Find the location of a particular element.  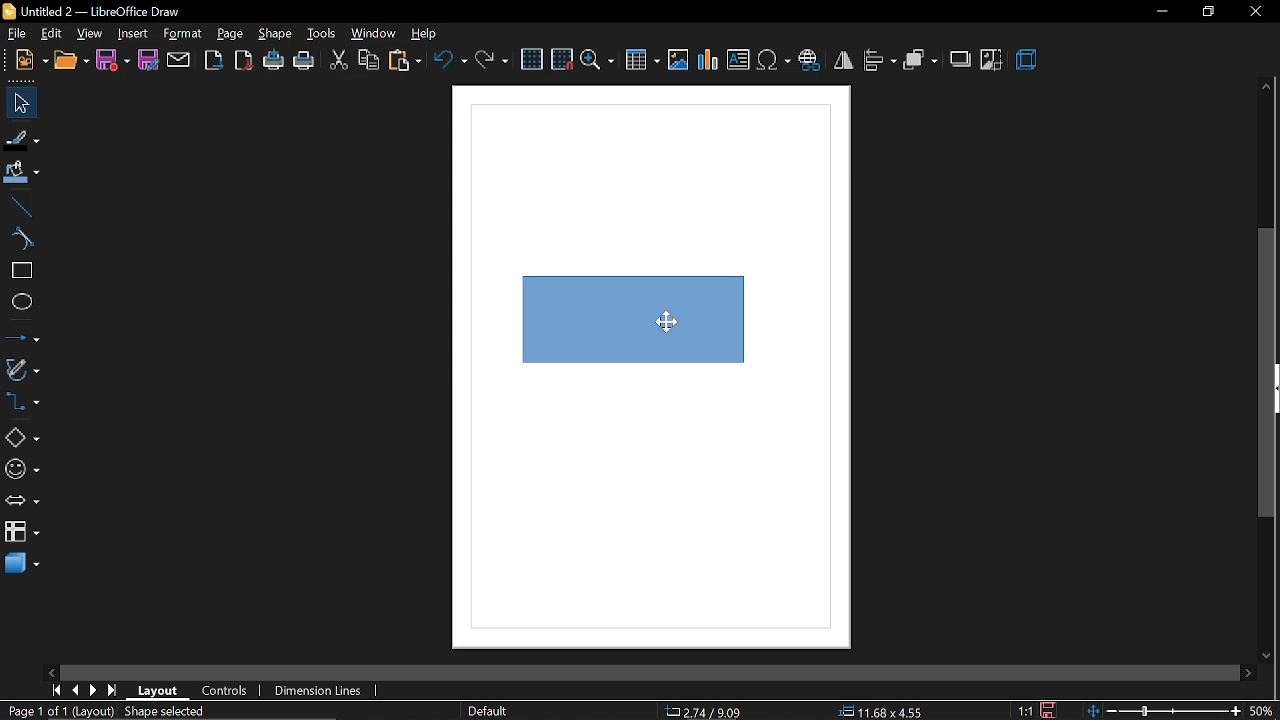

move down is located at coordinates (1267, 655).